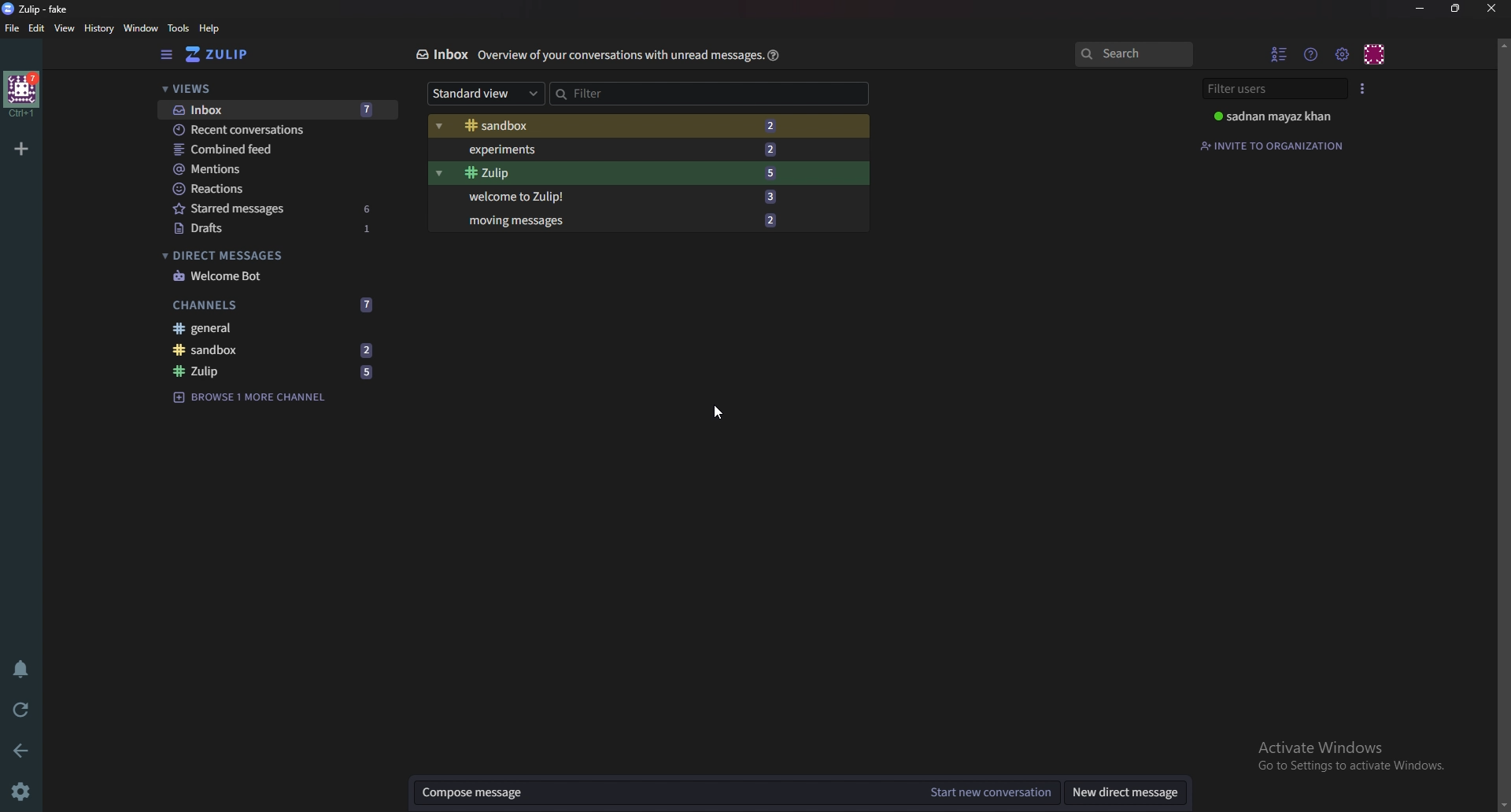  I want to click on Add organization, so click(20, 148).